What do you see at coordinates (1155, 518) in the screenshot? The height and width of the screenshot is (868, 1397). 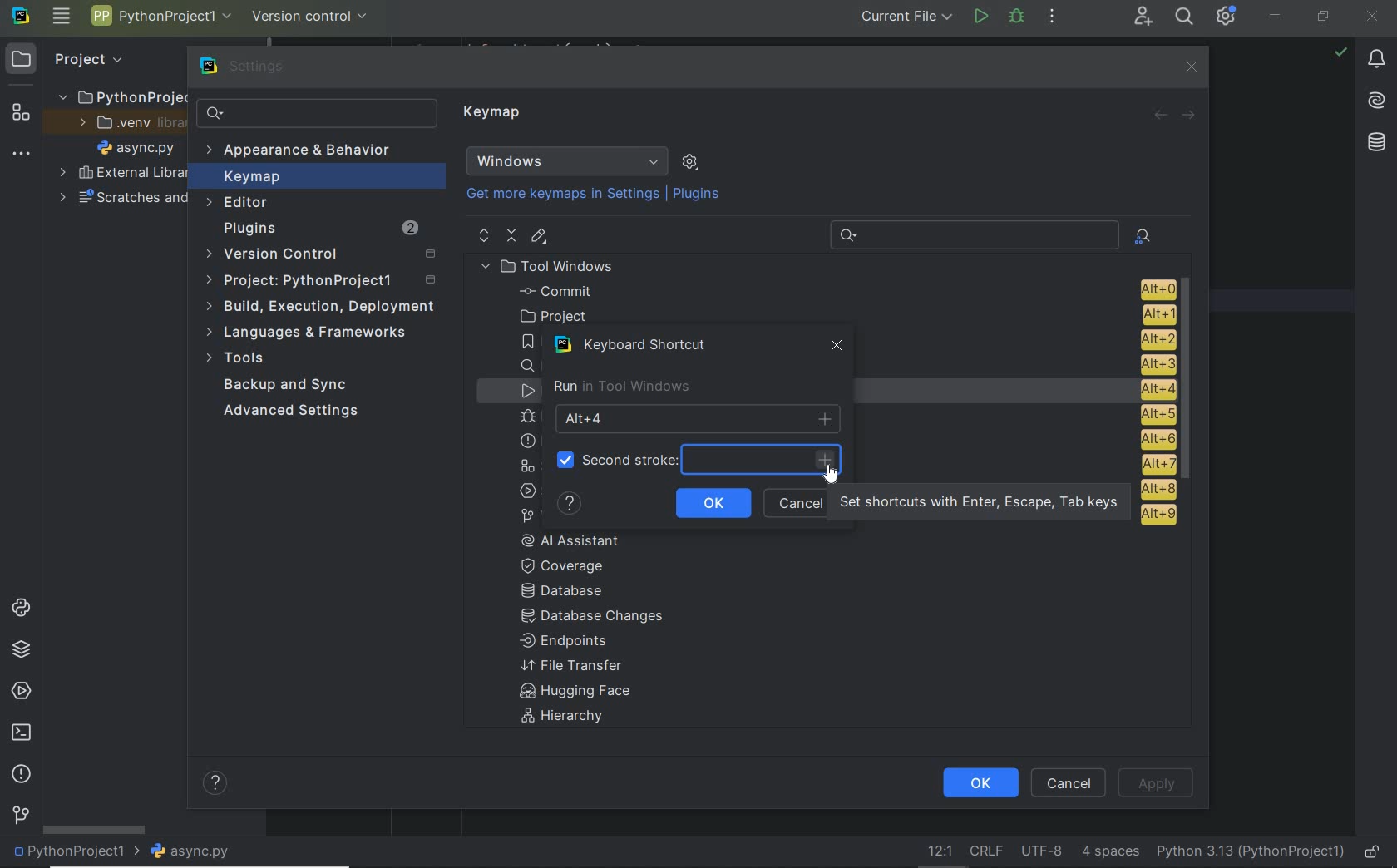 I see `alt + 9` at bounding box center [1155, 518].